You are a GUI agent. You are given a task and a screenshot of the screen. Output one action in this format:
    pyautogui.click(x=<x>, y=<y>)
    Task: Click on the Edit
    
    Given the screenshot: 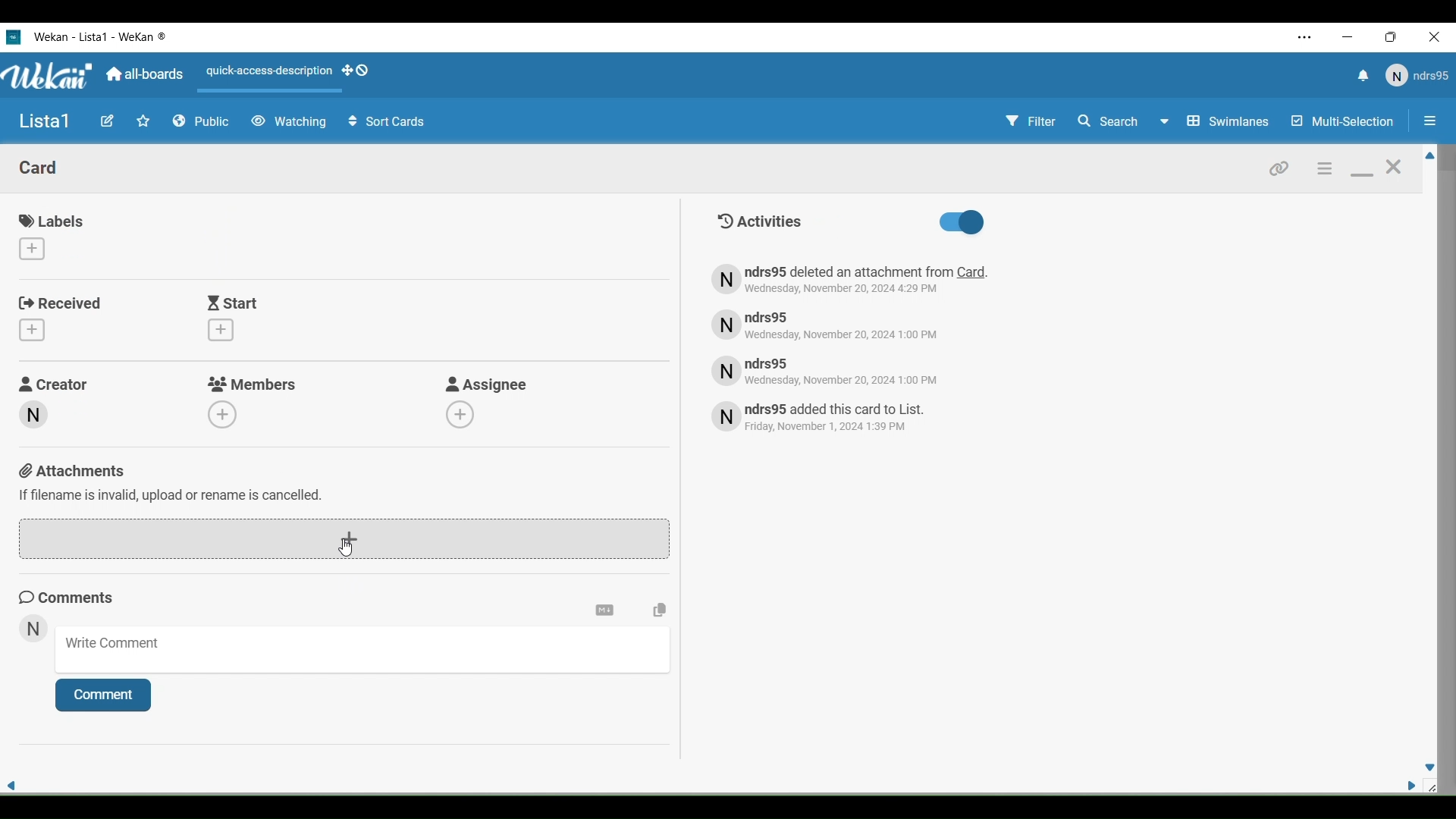 What is the action you would take?
    pyautogui.click(x=107, y=121)
    